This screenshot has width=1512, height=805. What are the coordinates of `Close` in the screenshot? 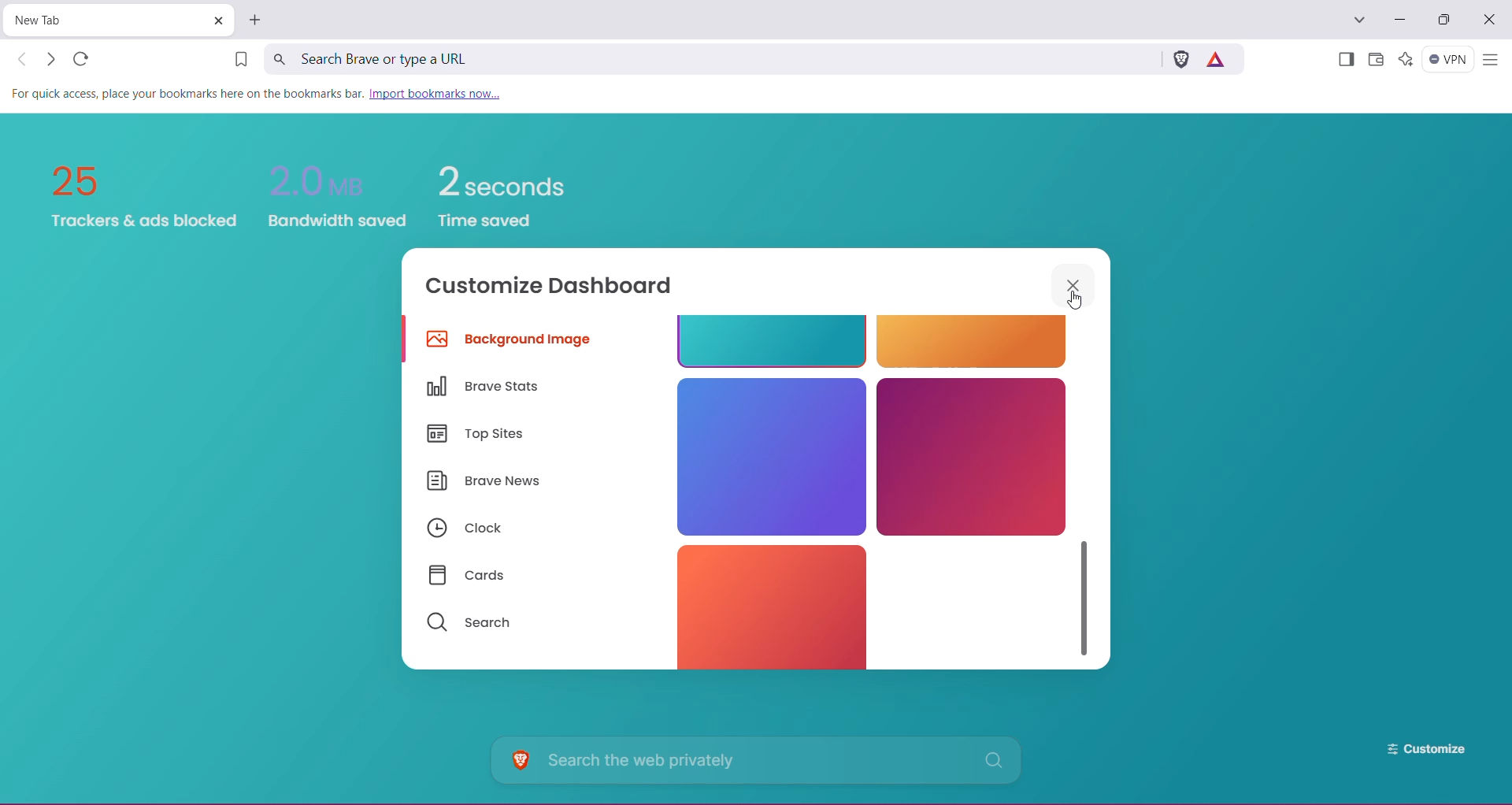 It's located at (1491, 20).